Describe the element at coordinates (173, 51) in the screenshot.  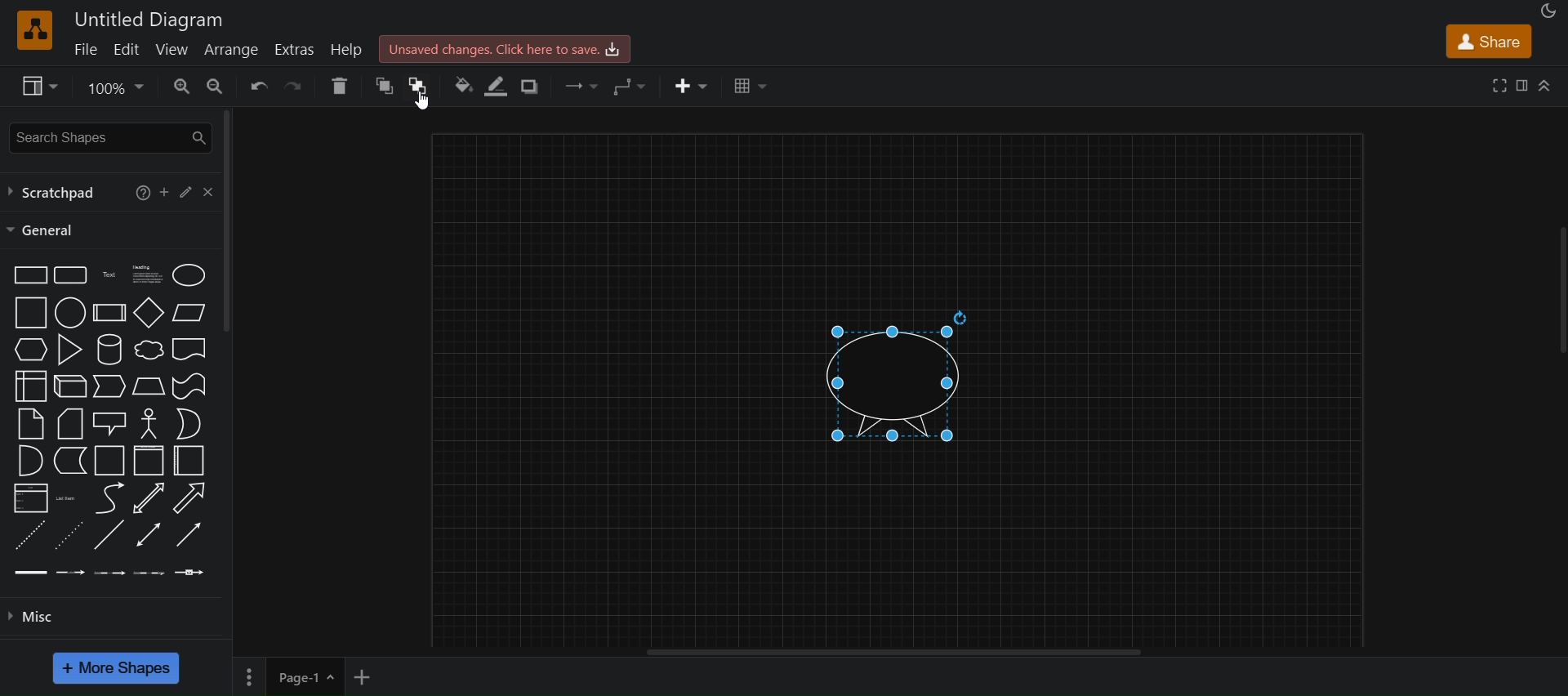
I see `view` at that location.